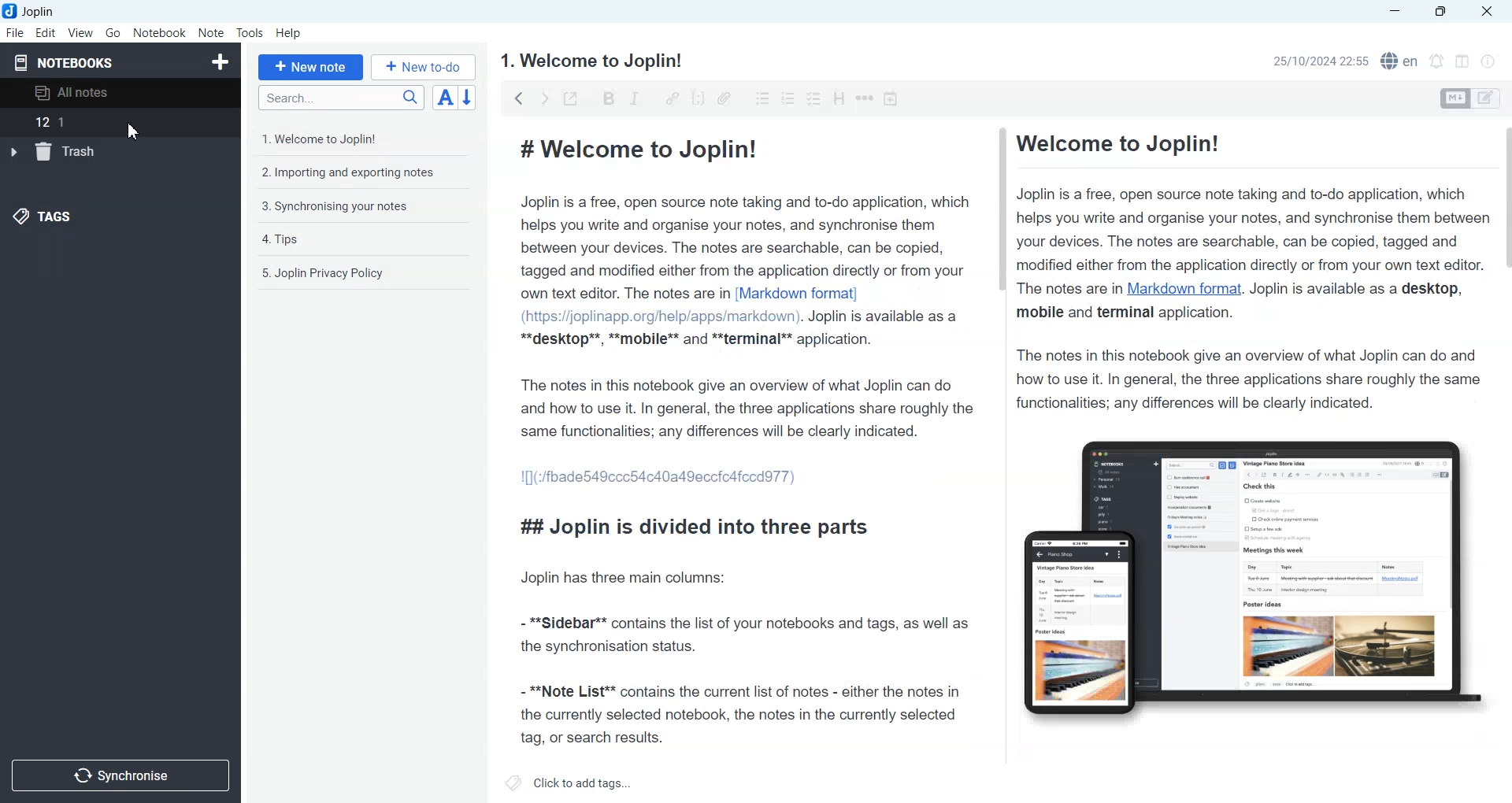  I want to click on + New to-do, so click(425, 66).